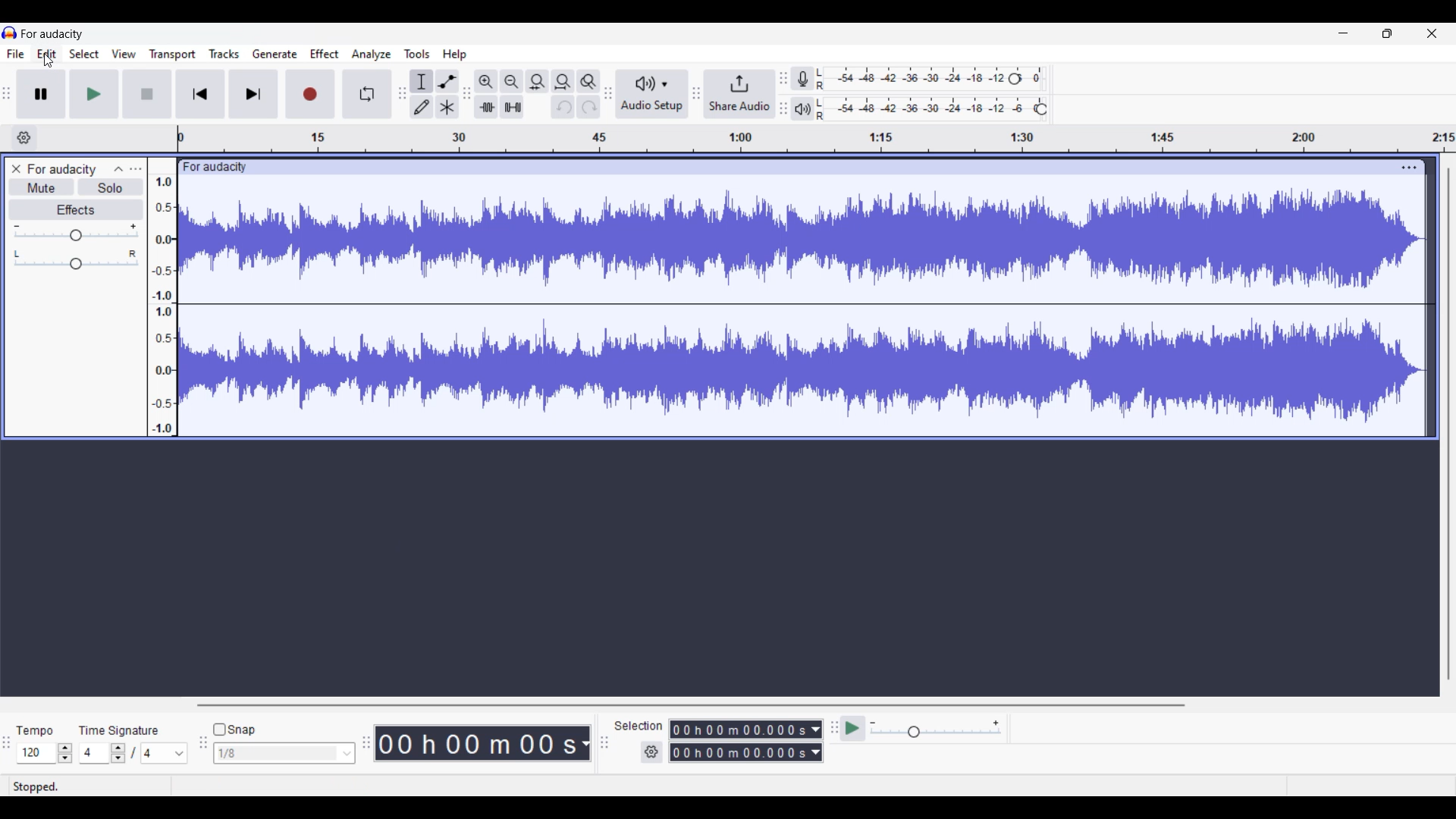  I want to click on Undo, so click(563, 107).